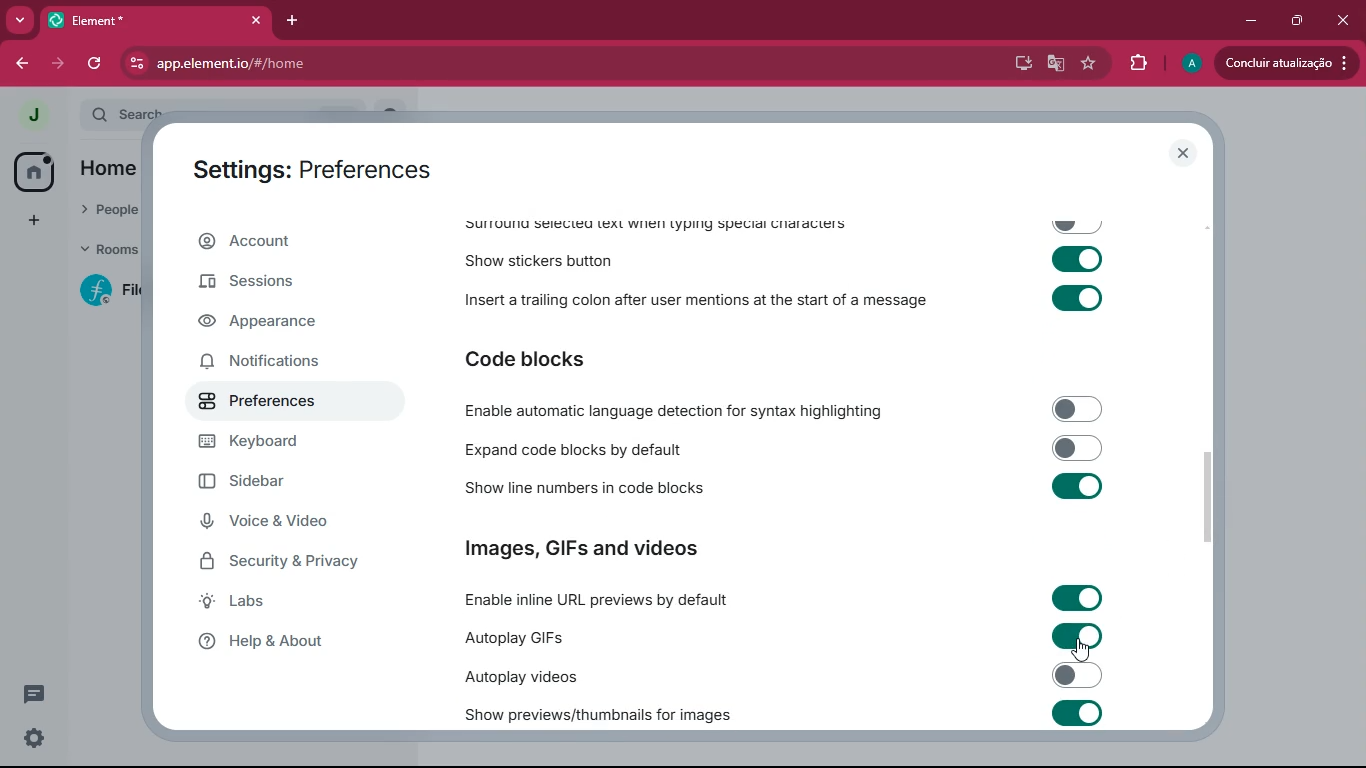 The image size is (1366, 768). I want to click on labs, so click(283, 605).